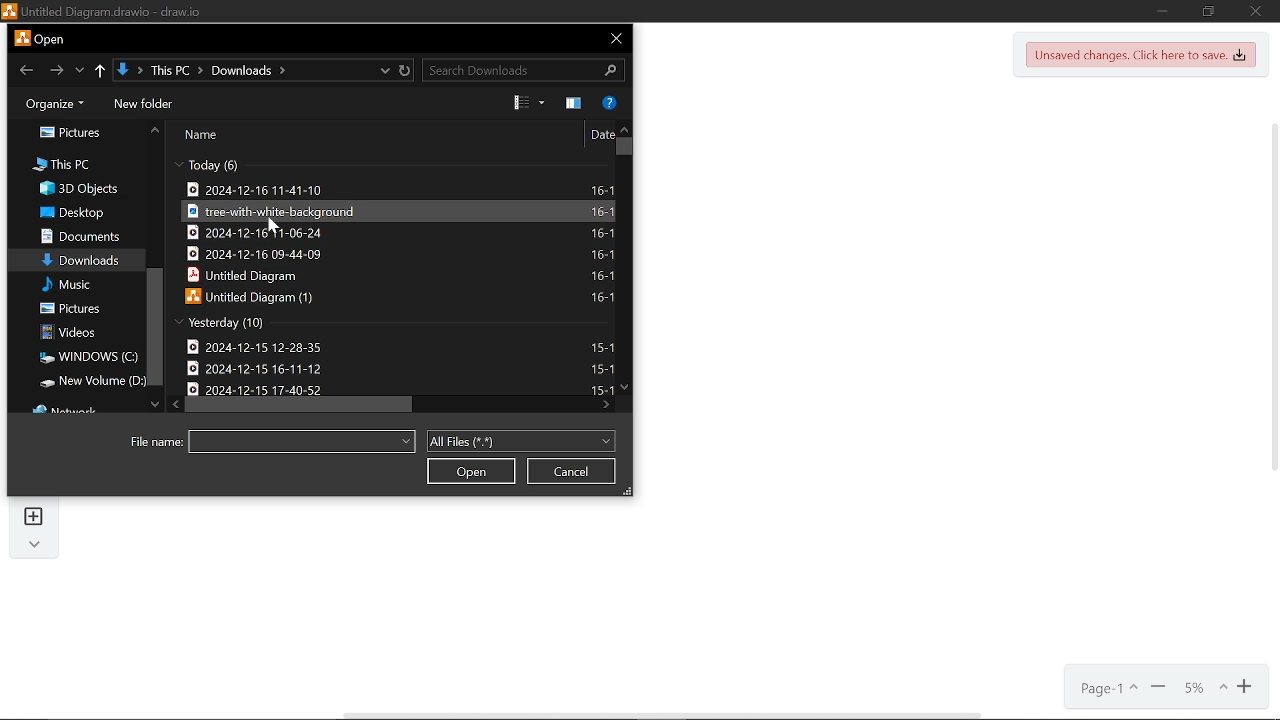 Image resolution: width=1280 pixels, height=720 pixels. Describe the element at coordinates (402, 189) in the screenshot. I see `File titled "2024-12-16 11-41-10"` at that location.